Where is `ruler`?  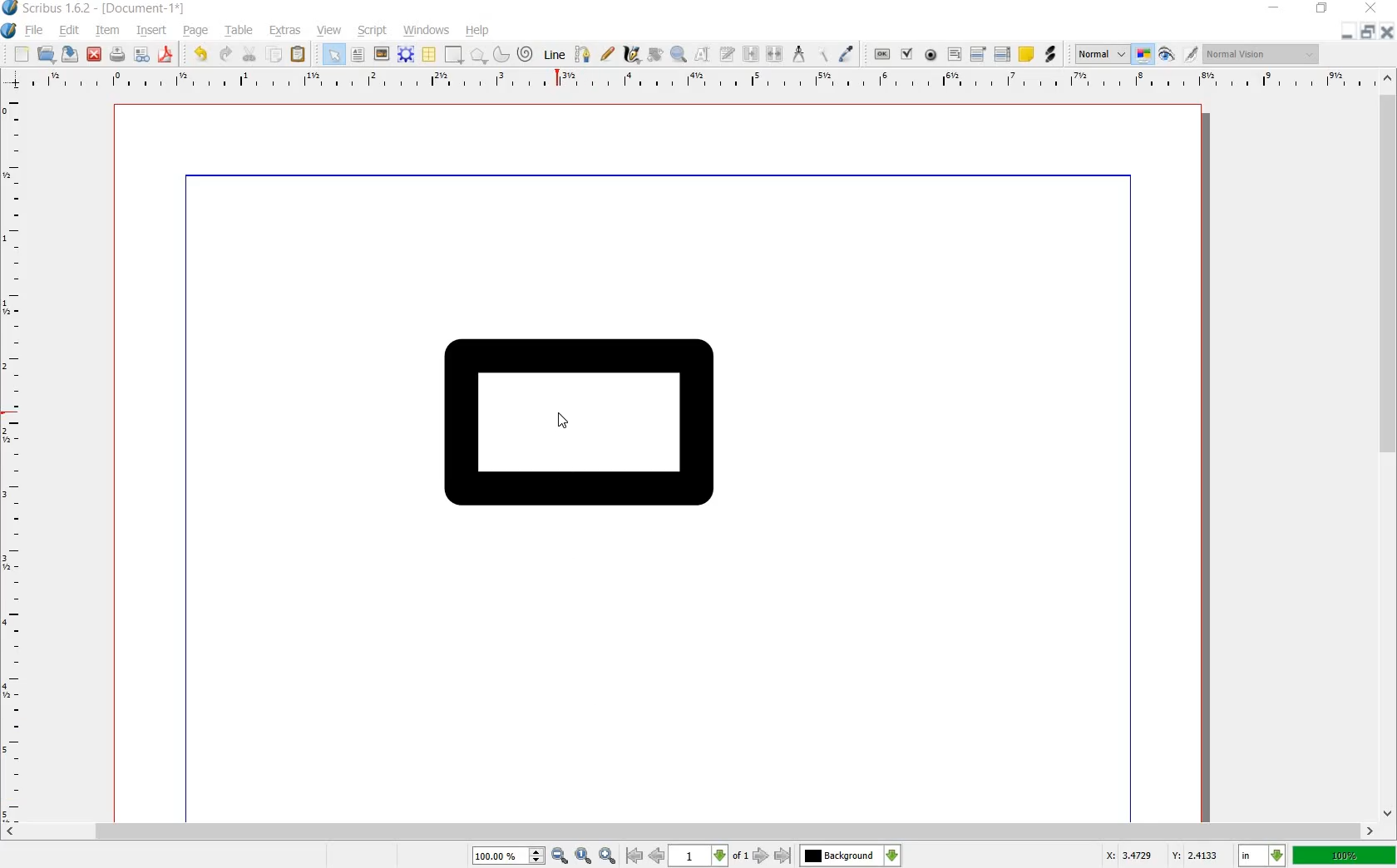
ruler is located at coordinates (19, 457).